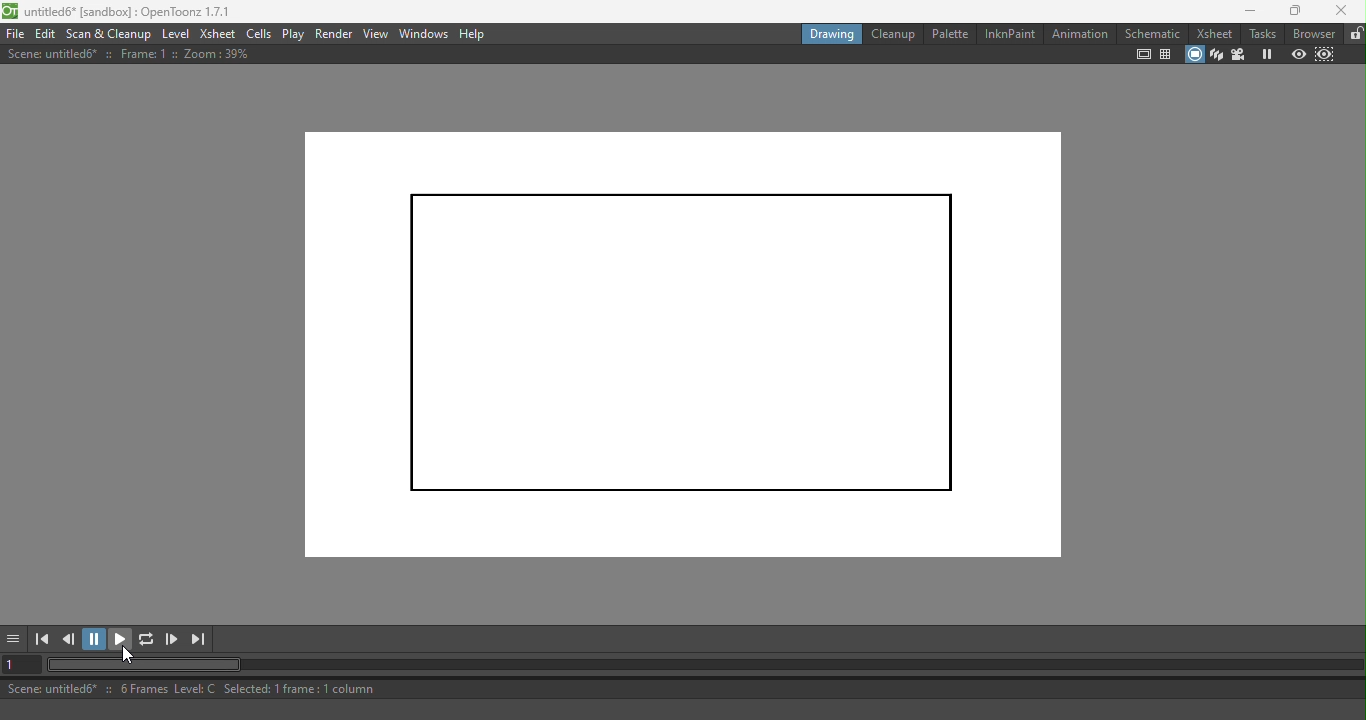 This screenshot has width=1366, height=720. I want to click on 3D View, so click(1215, 54).